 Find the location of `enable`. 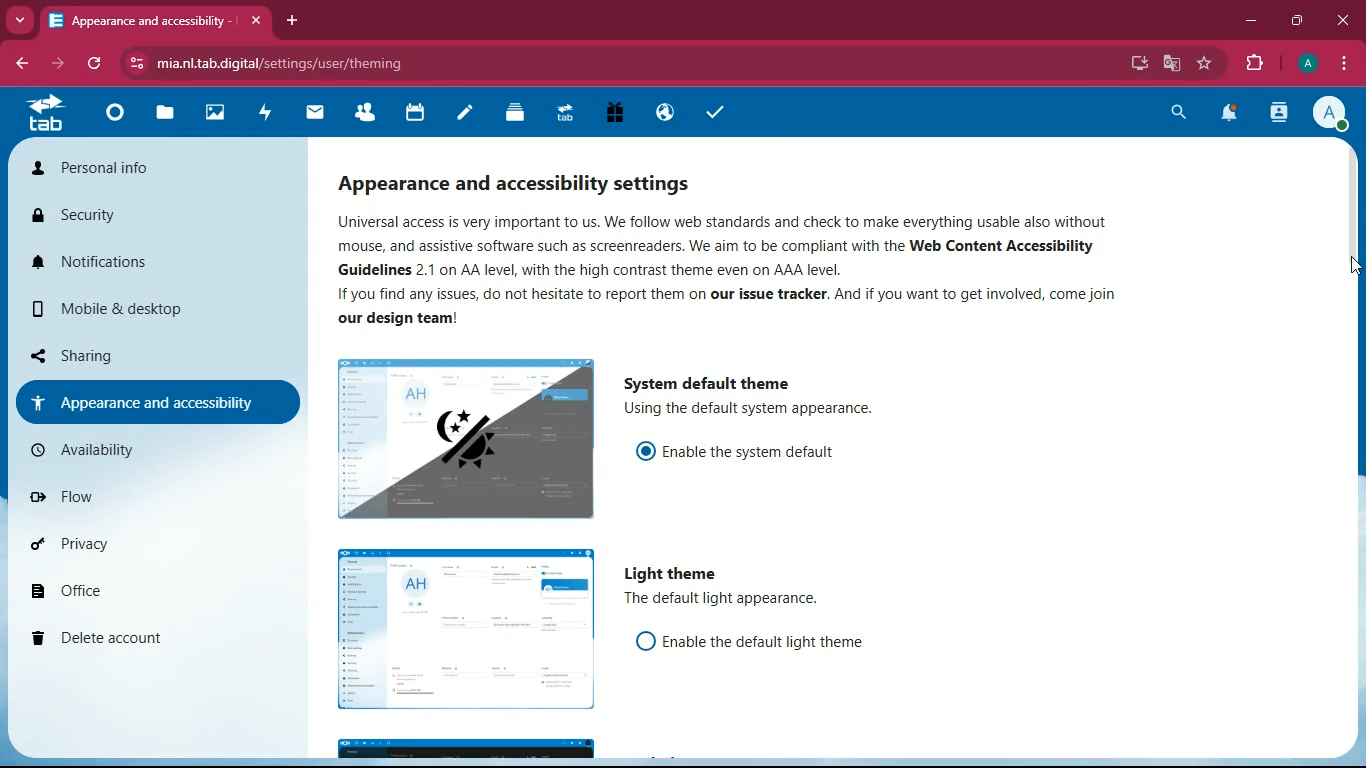

enable is located at coordinates (768, 641).